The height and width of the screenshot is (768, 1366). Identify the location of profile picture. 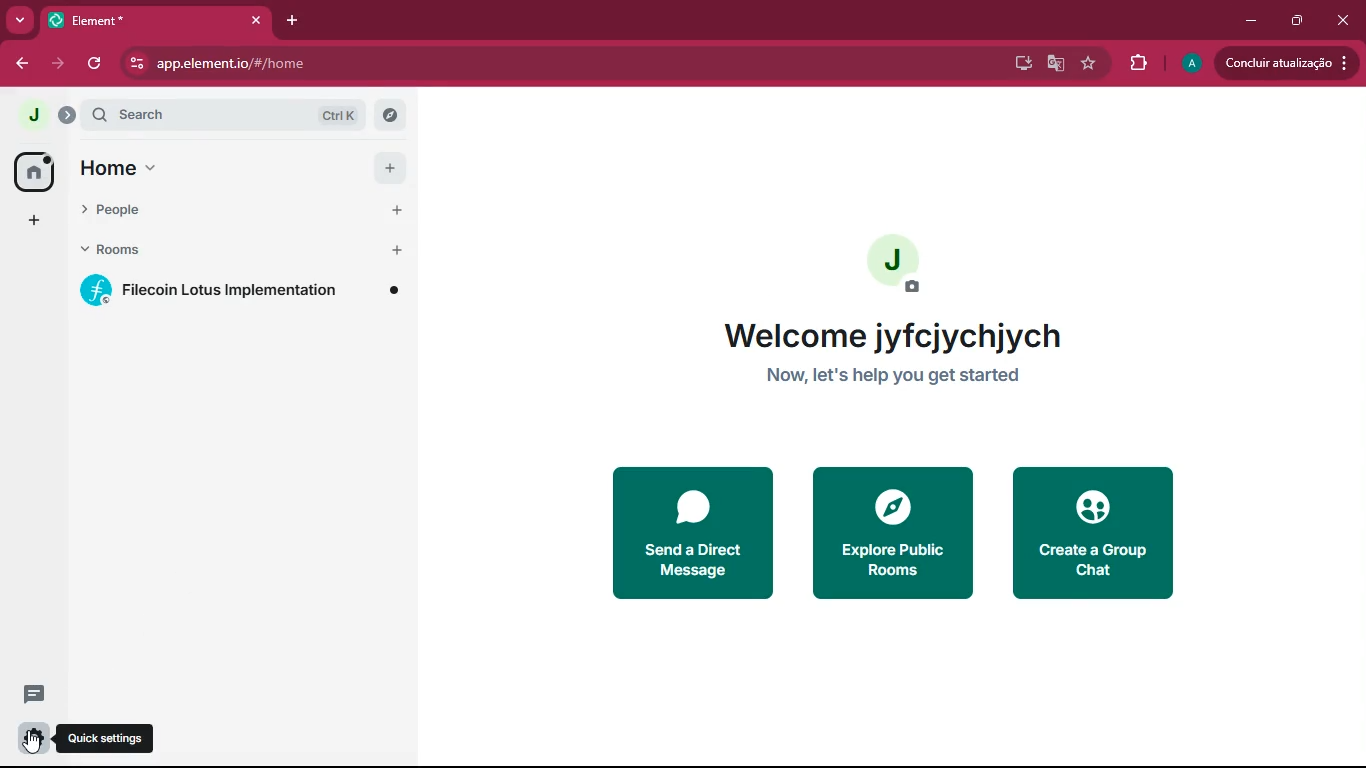
(1192, 63).